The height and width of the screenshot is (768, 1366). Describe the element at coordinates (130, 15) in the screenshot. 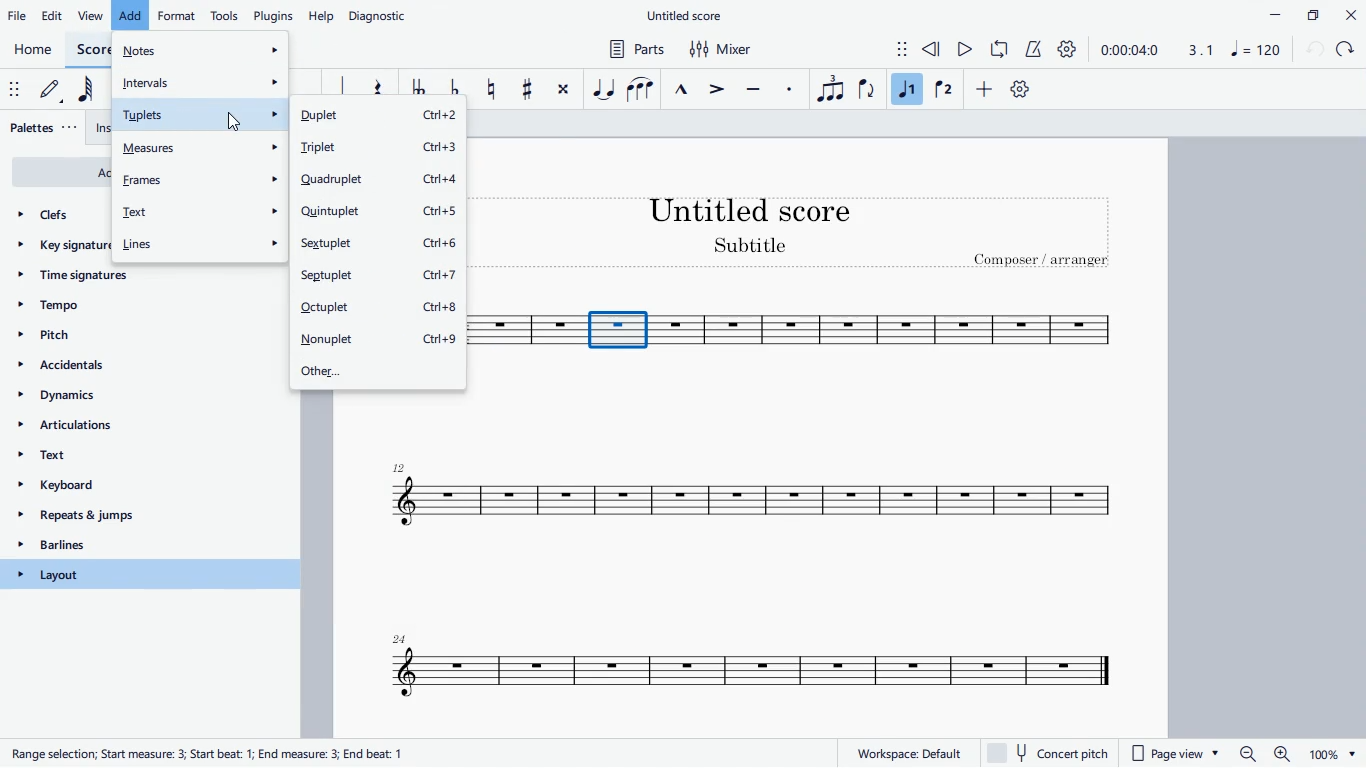

I see `add` at that location.